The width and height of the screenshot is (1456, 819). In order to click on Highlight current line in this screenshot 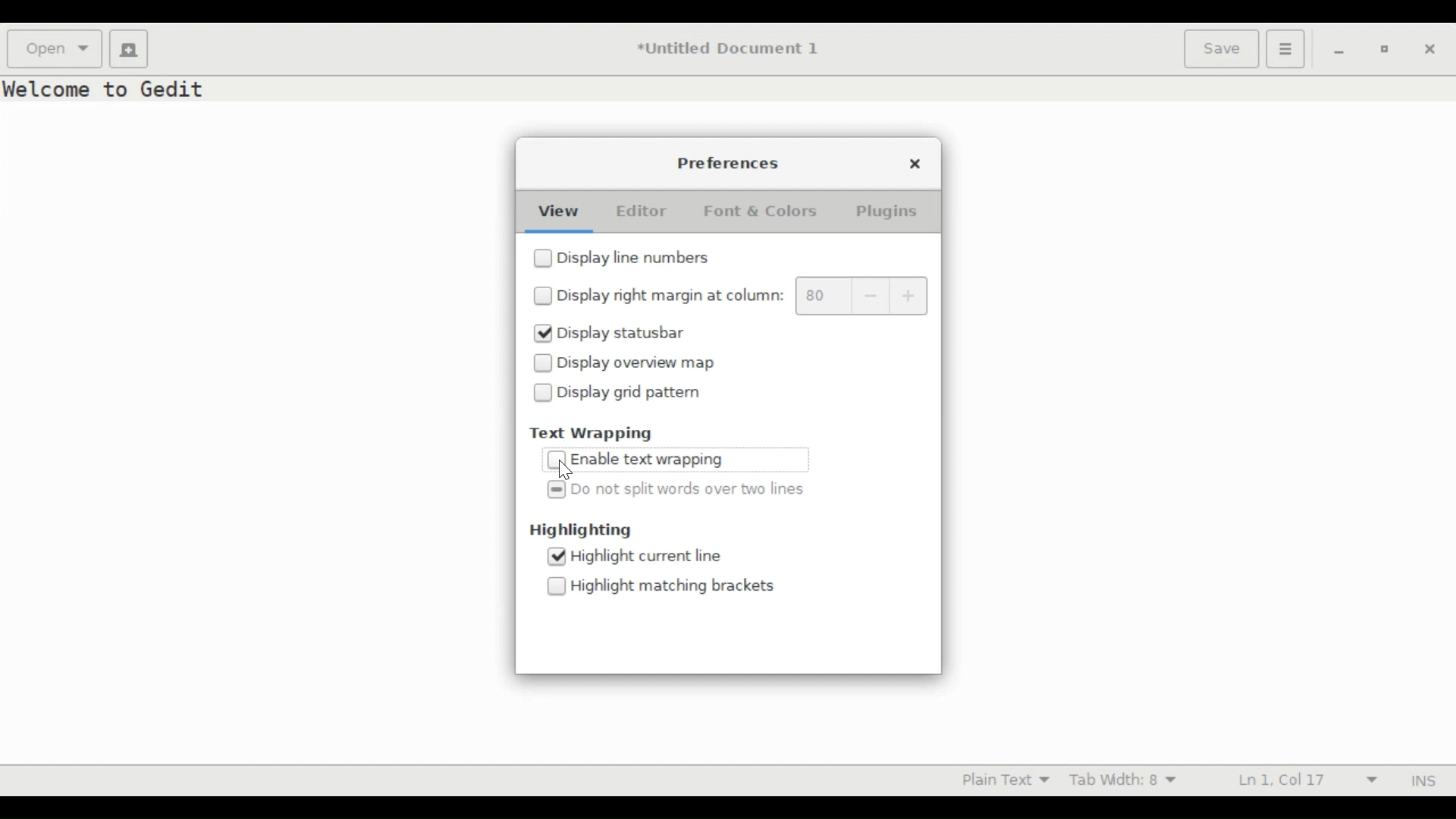, I will do `click(645, 557)`.